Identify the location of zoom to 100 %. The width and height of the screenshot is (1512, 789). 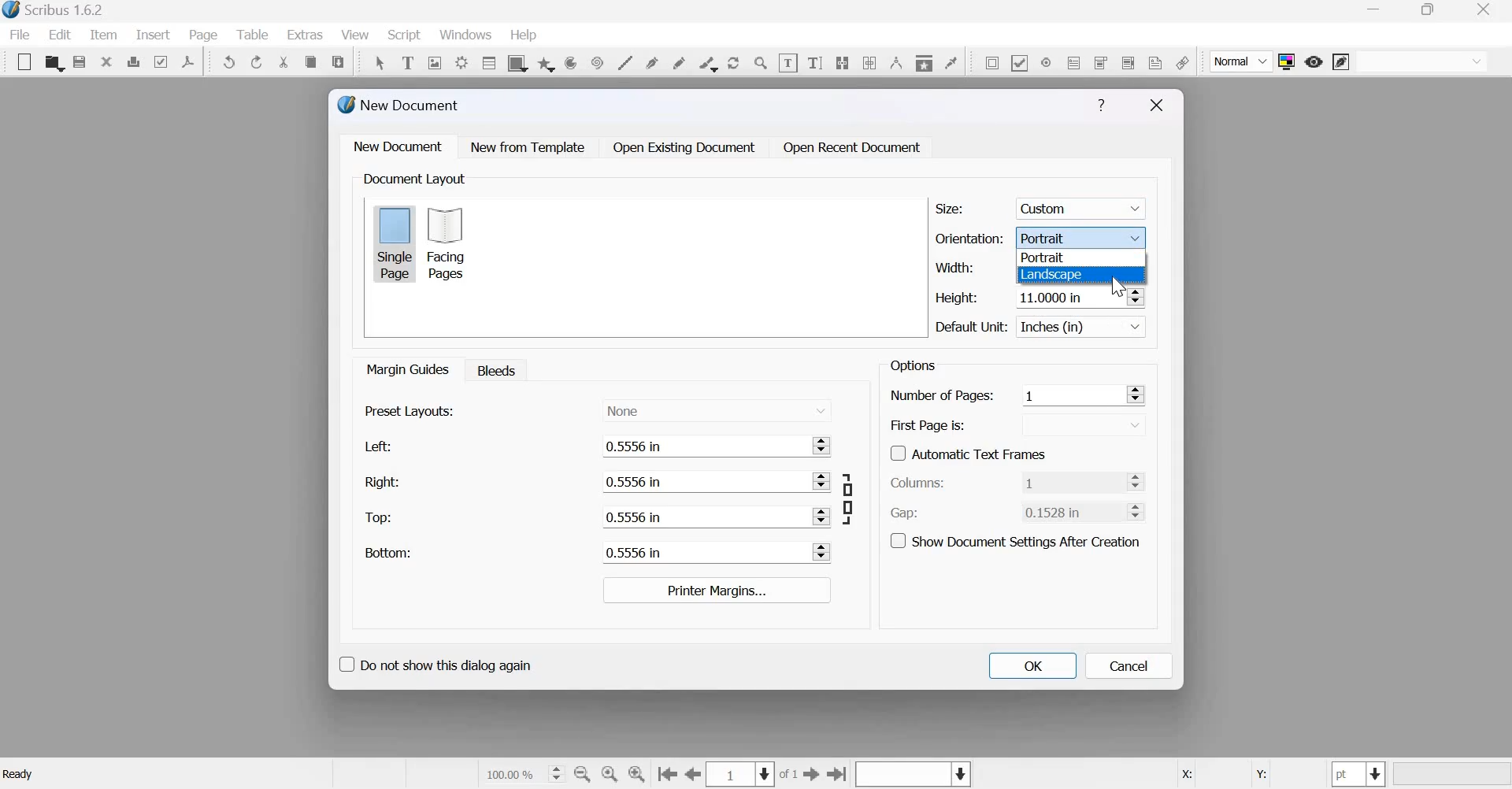
(610, 775).